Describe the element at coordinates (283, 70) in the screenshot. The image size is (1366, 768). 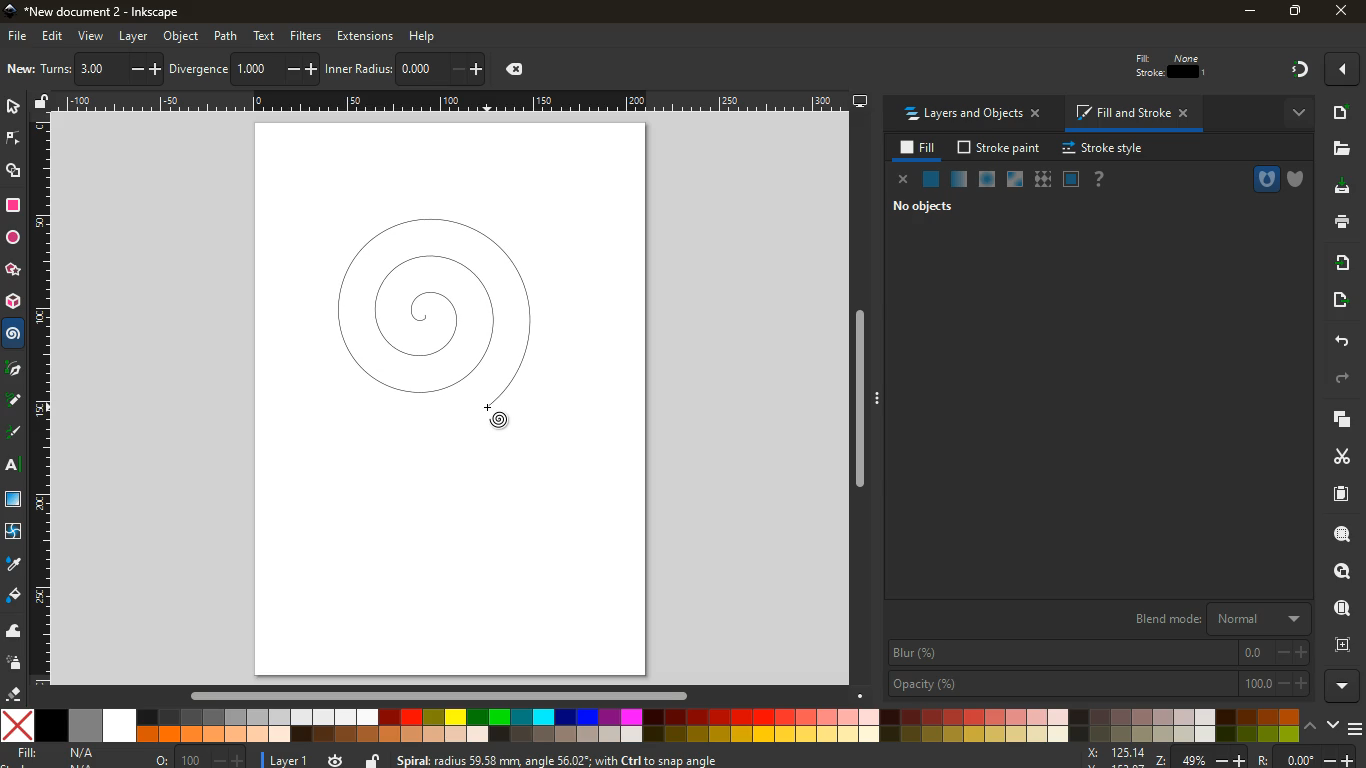
I see `divide` at that location.